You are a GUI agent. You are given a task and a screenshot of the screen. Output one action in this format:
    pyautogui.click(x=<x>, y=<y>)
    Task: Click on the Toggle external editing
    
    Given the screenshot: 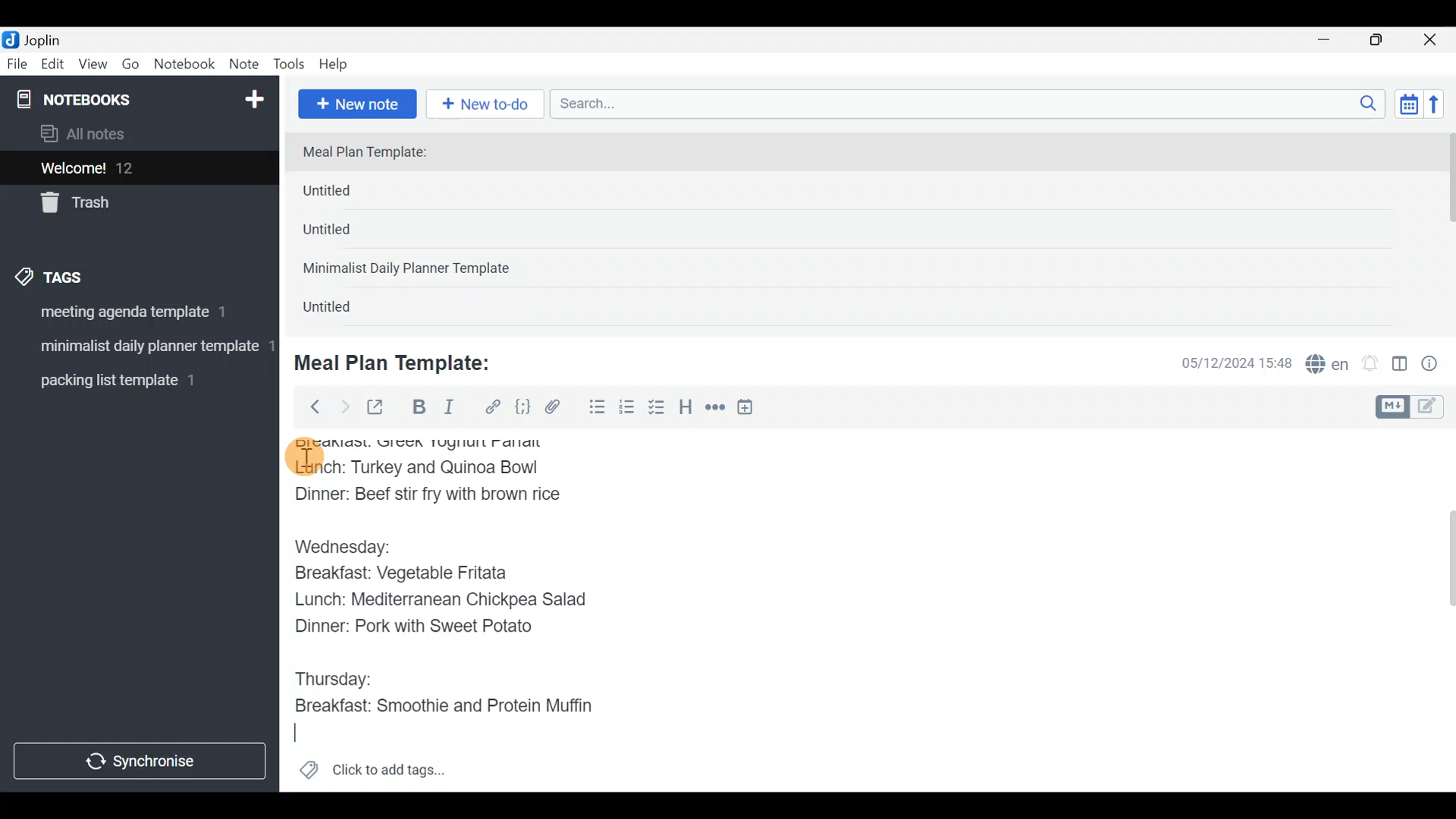 What is the action you would take?
    pyautogui.click(x=381, y=408)
    